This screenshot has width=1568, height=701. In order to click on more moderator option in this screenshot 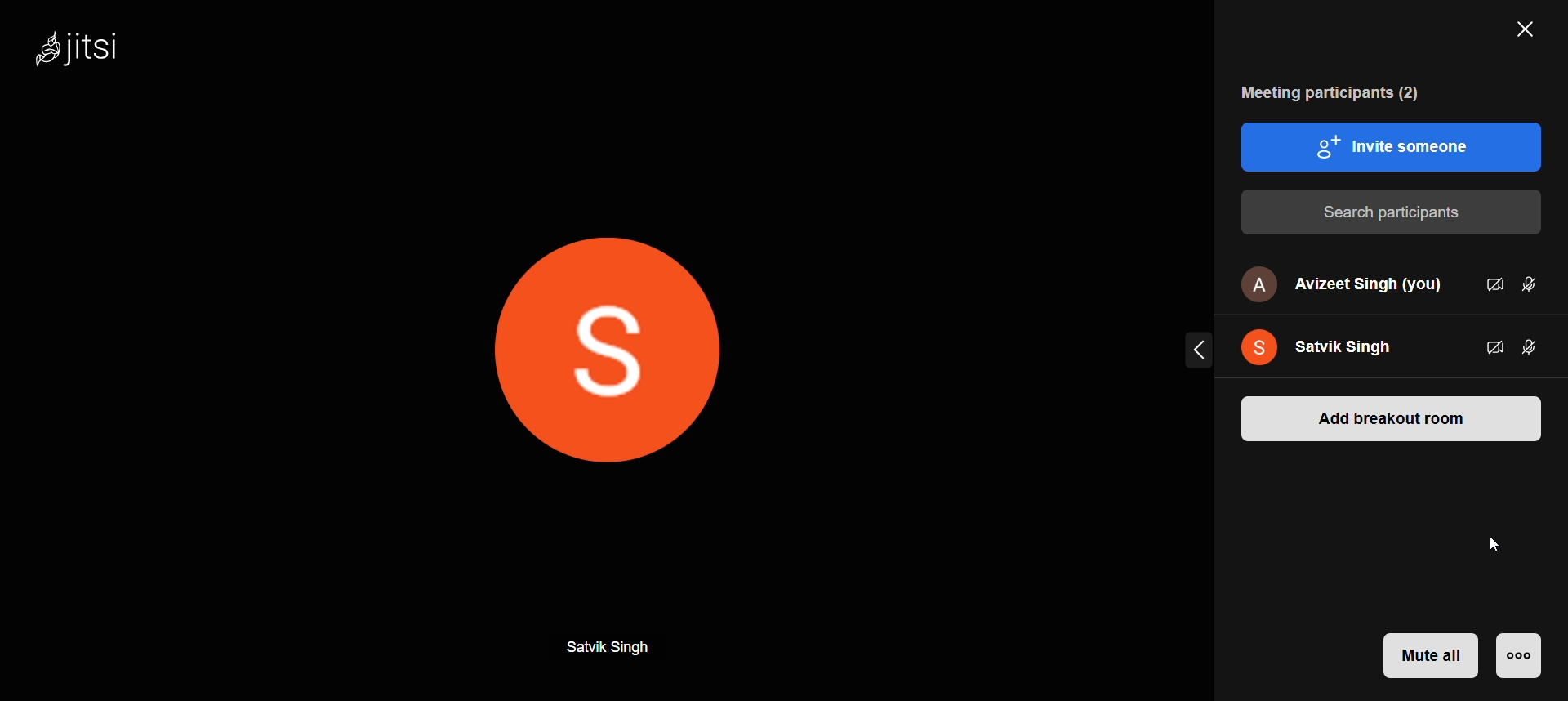, I will do `click(1519, 655)`.